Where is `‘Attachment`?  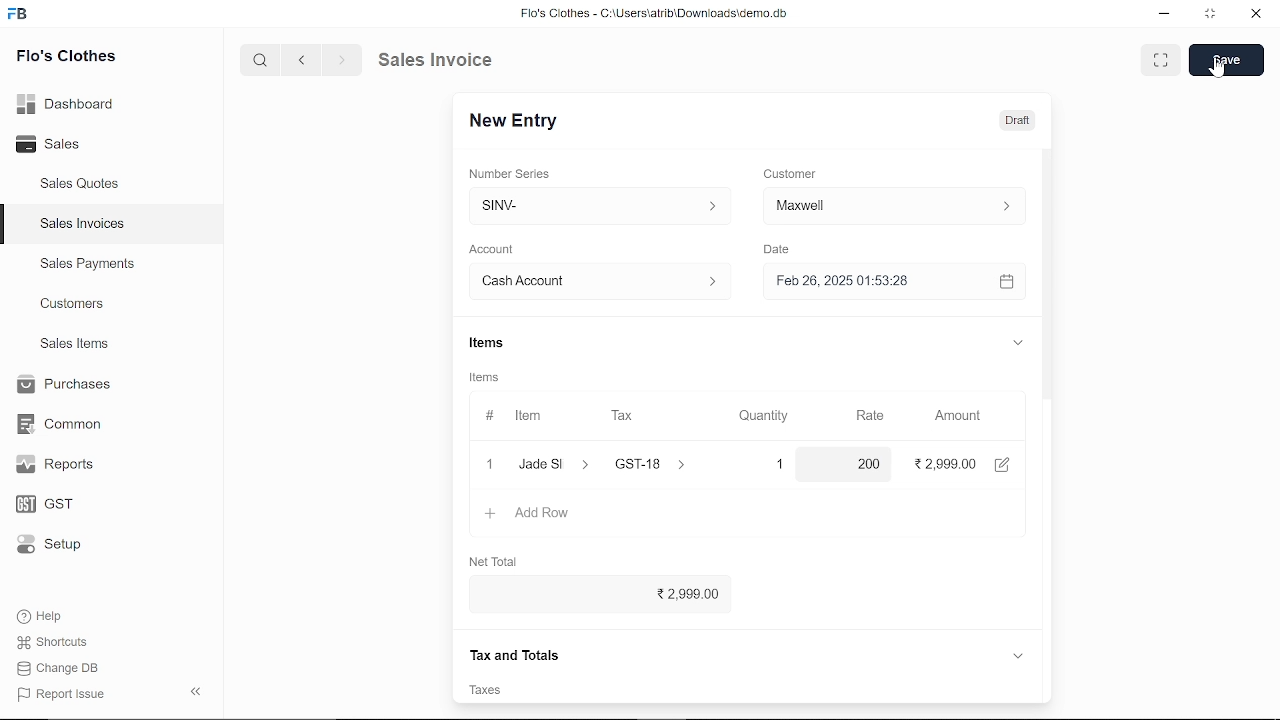
‘Attachment is located at coordinates (790, 690).